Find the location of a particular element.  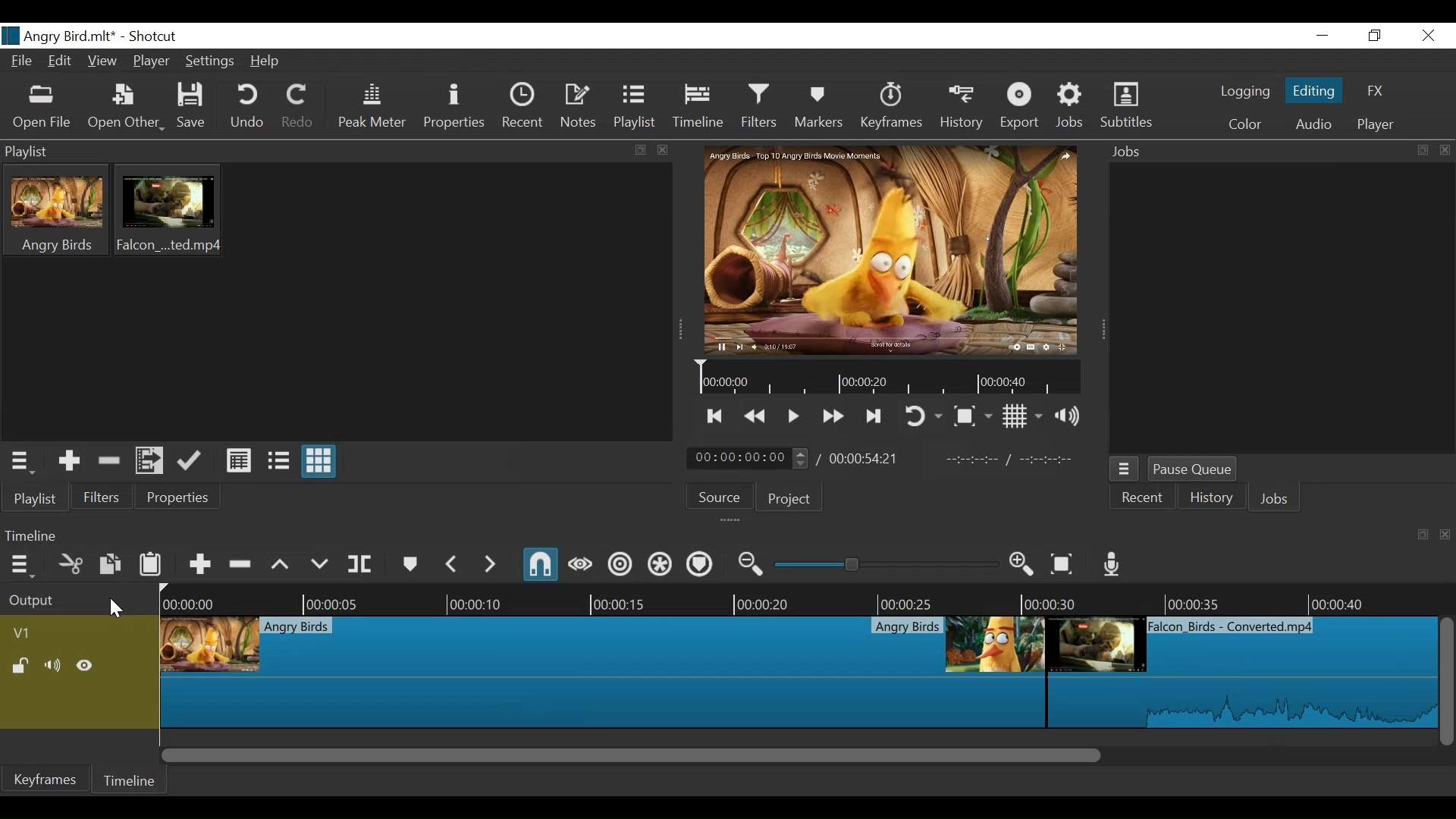

Add files to the playlist is located at coordinates (149, 462).